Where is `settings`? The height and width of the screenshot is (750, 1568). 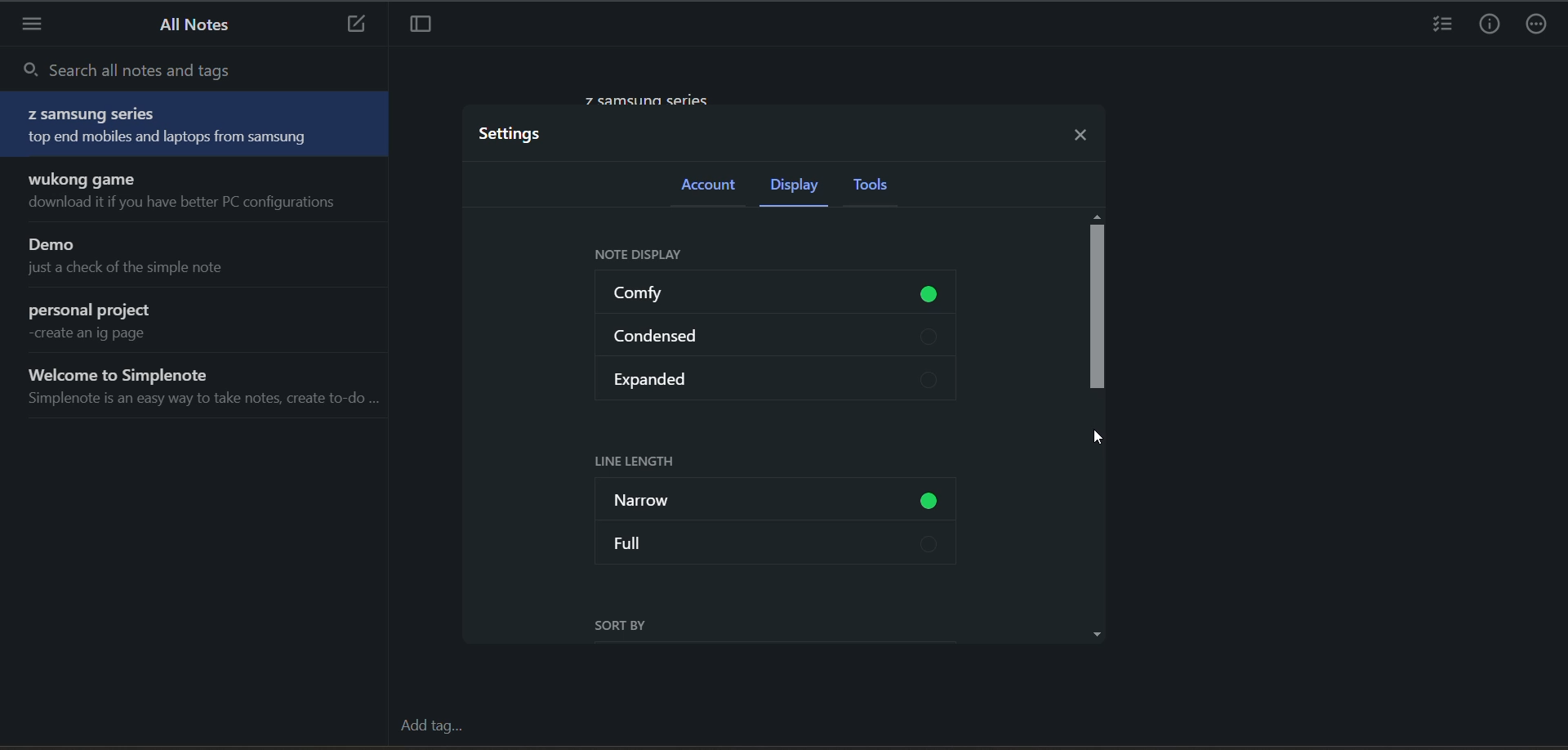
settings is located at coordinates (518, 135).